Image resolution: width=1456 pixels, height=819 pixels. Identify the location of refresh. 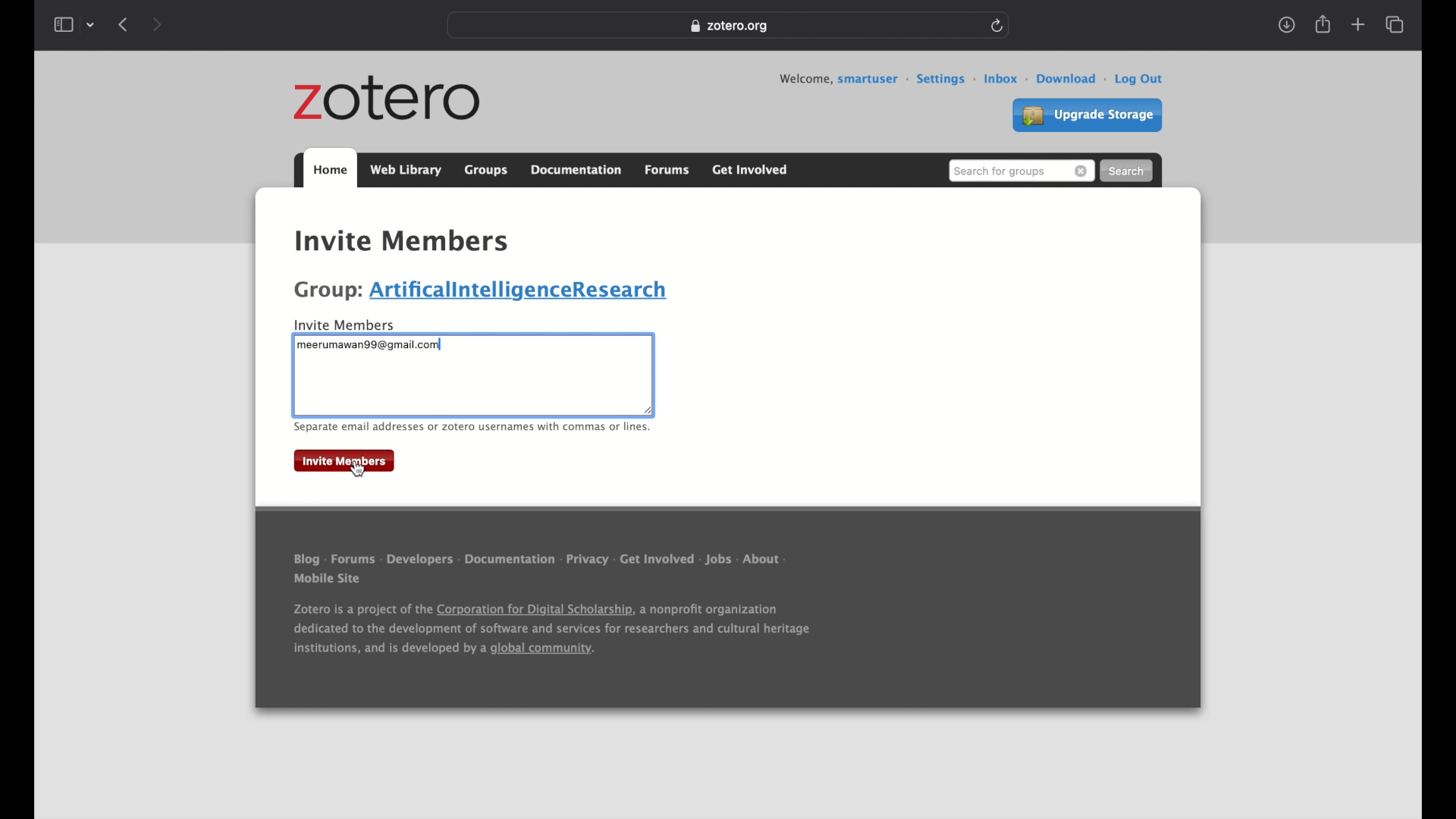
(1000, 26).